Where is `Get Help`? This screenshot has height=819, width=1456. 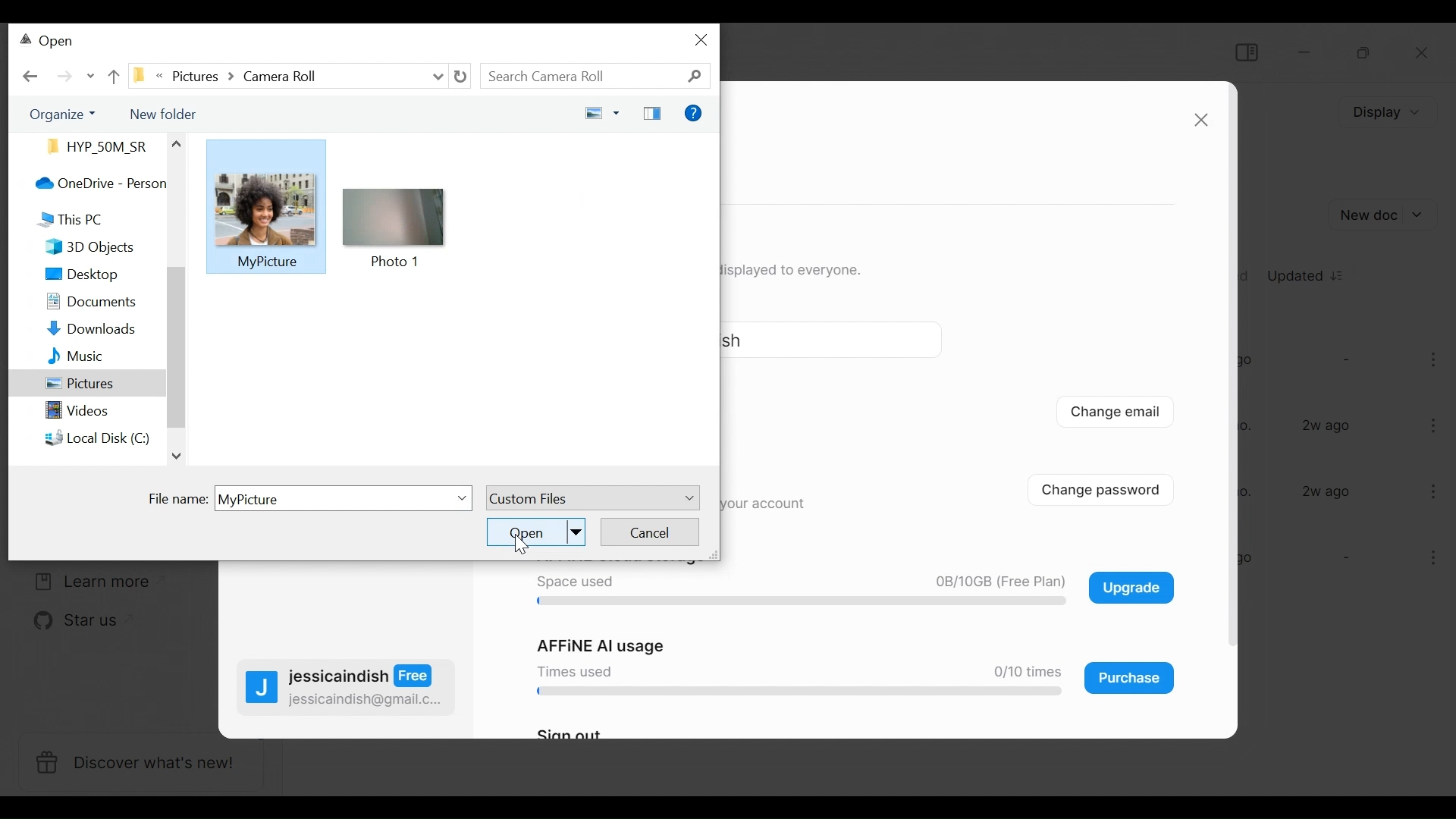
Get Help is located at coordinates (694, 115).